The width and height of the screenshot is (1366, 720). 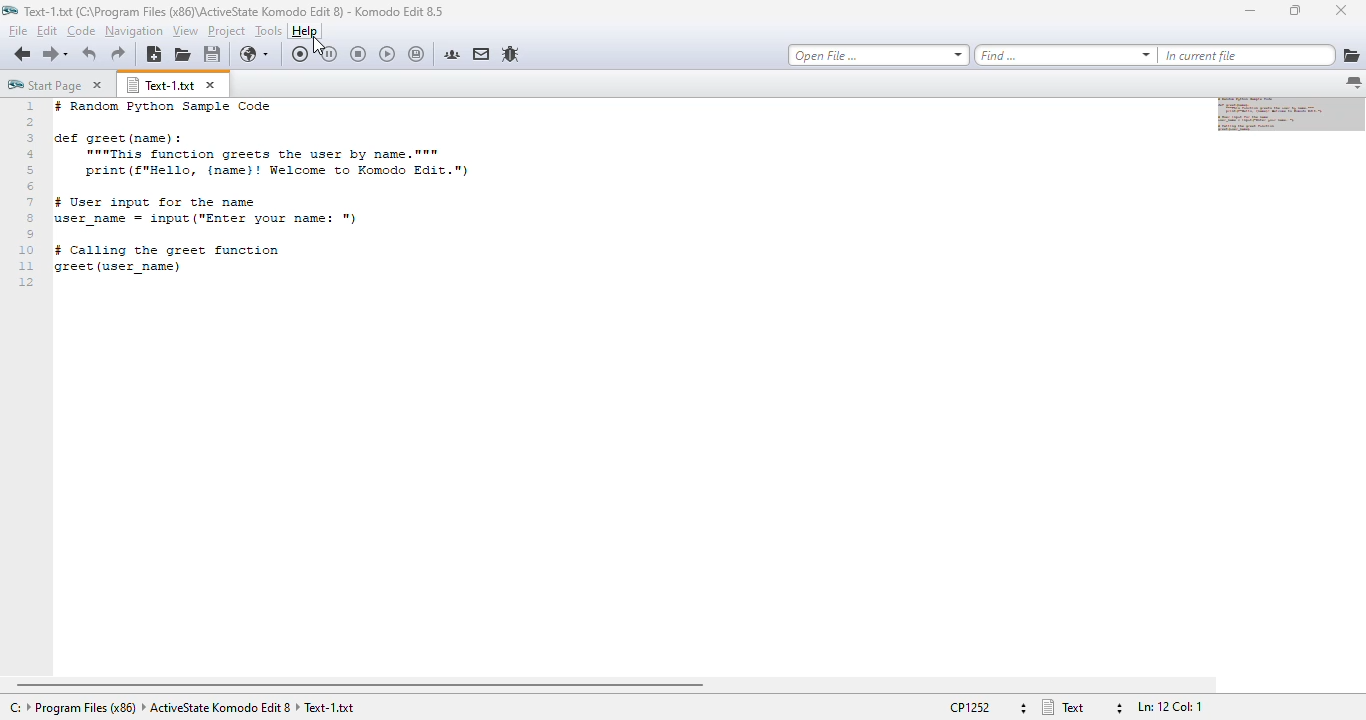 I want to click on cursor, so click(x=318, y=46).